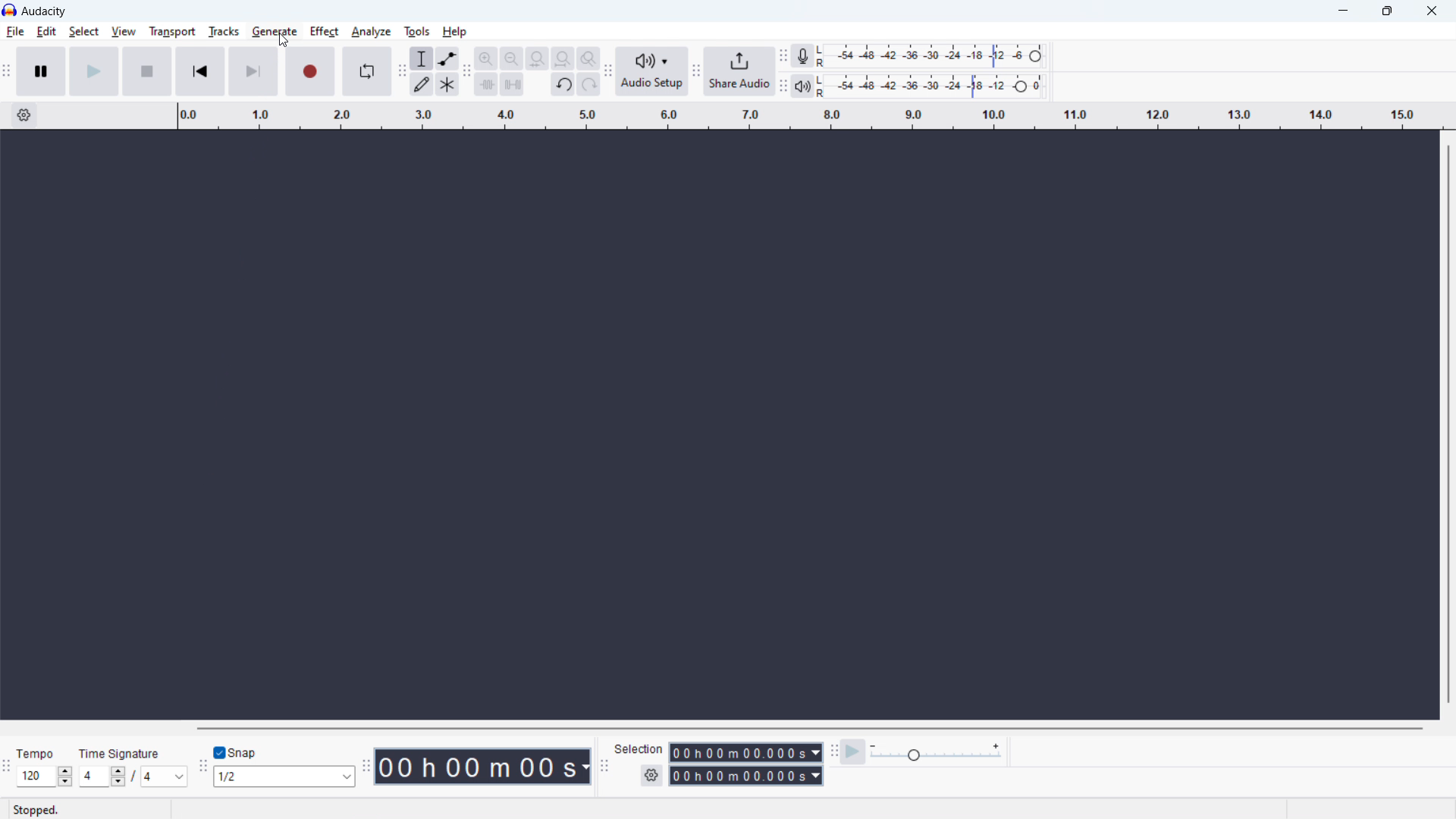 The image size is (1456, 819). What do you see at coordinates (745, 775) in the screenshot?
I see `end time` at bounding box center [745, 775].